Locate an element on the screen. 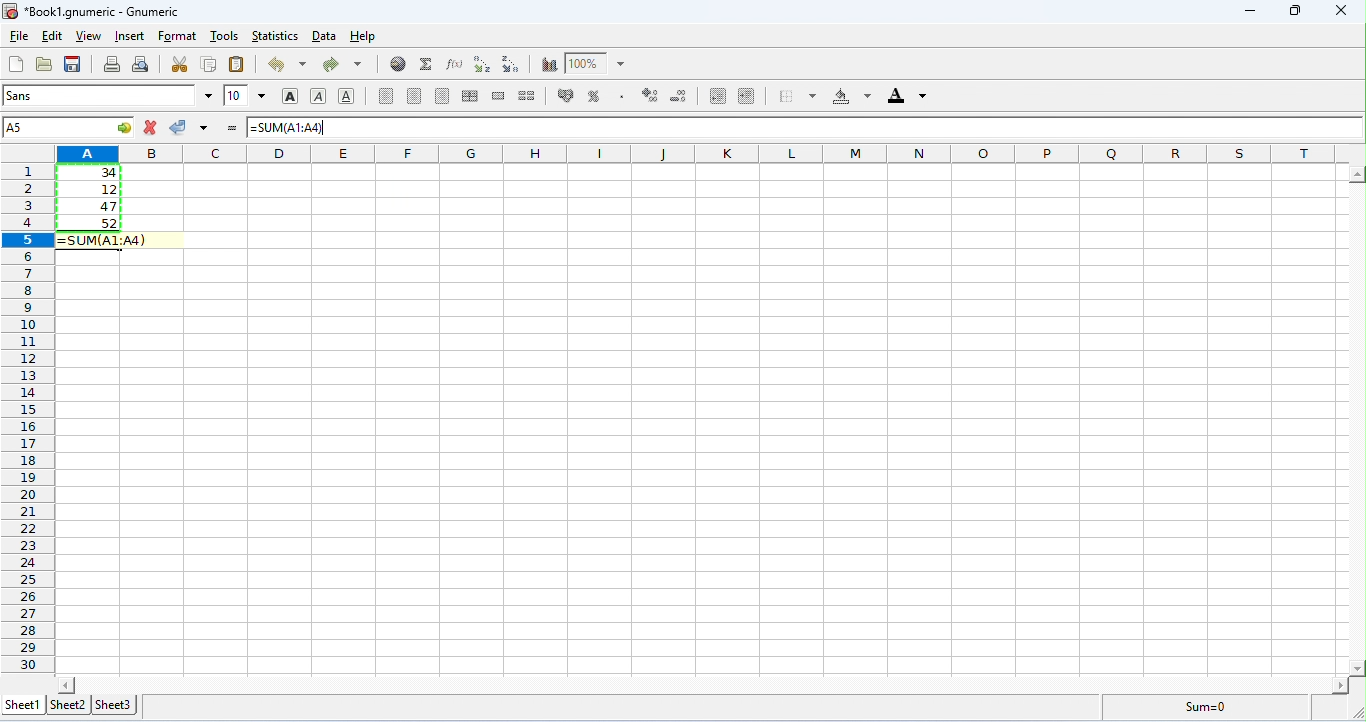 The image size is (1366, 722). align left is located at coordinates (386, 96).